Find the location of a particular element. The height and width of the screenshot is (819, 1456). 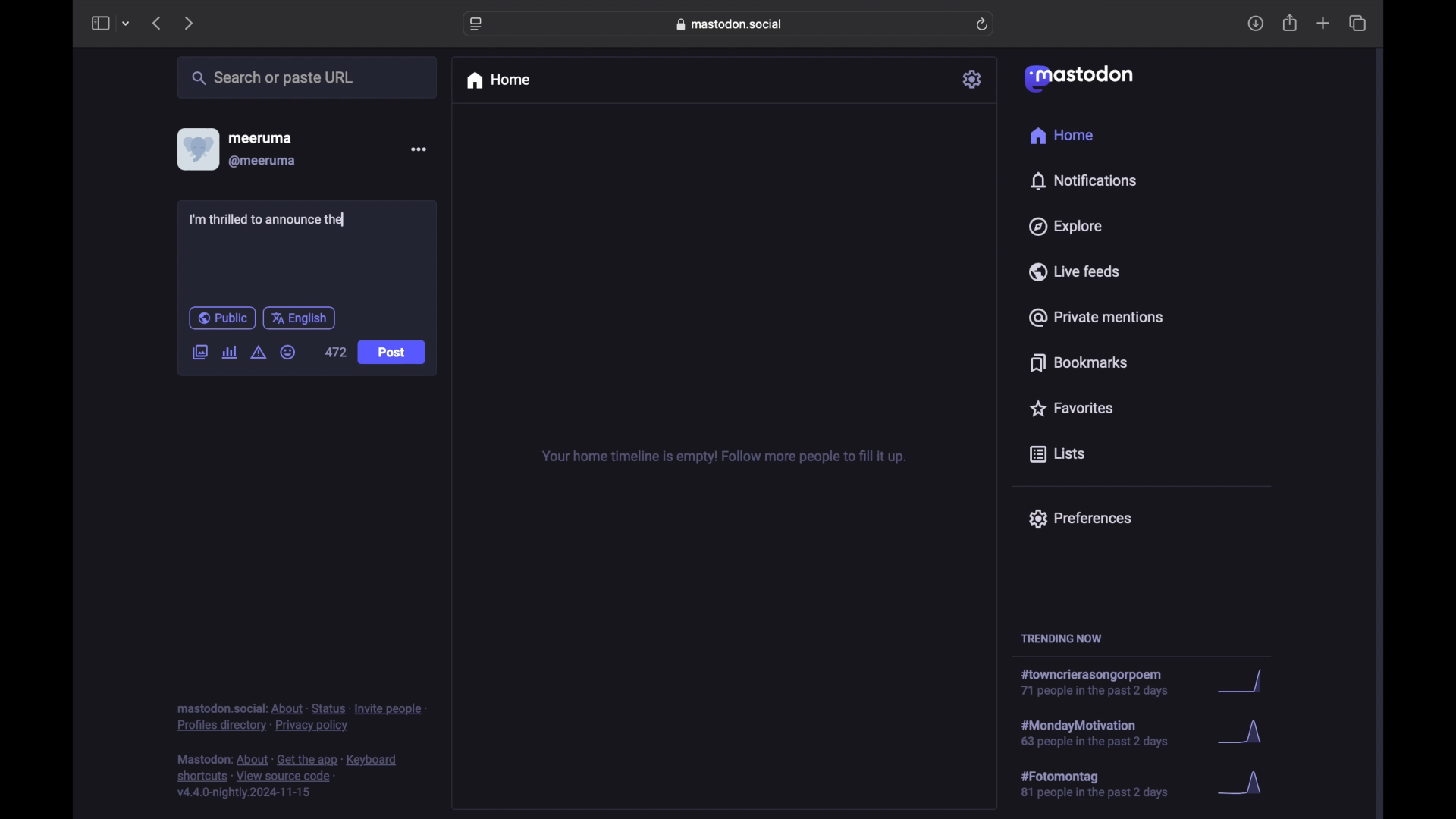

explore is located at coordinates (1066, 227).